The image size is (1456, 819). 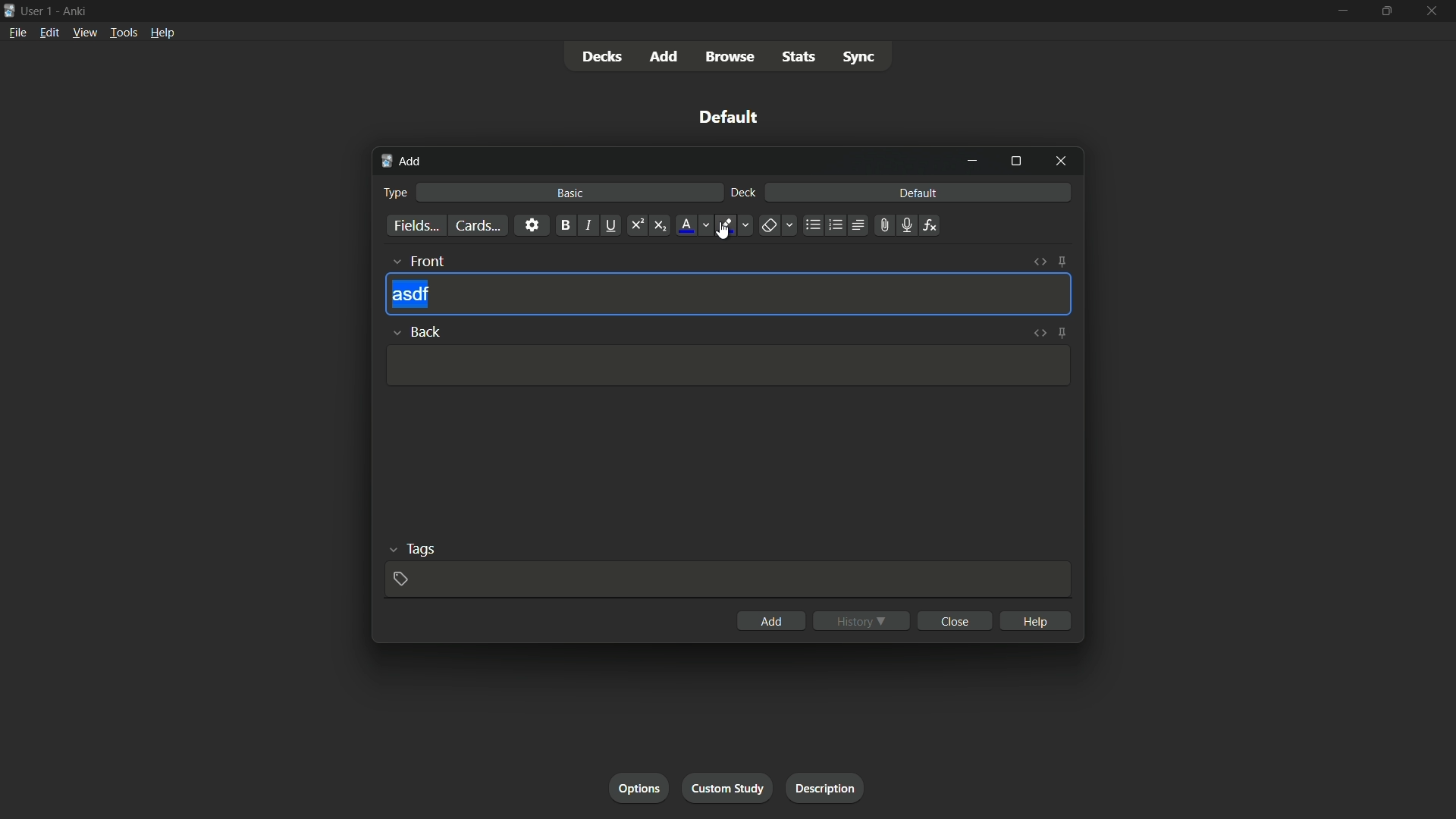 I want to click on cursor, so click(x=723, y=231).